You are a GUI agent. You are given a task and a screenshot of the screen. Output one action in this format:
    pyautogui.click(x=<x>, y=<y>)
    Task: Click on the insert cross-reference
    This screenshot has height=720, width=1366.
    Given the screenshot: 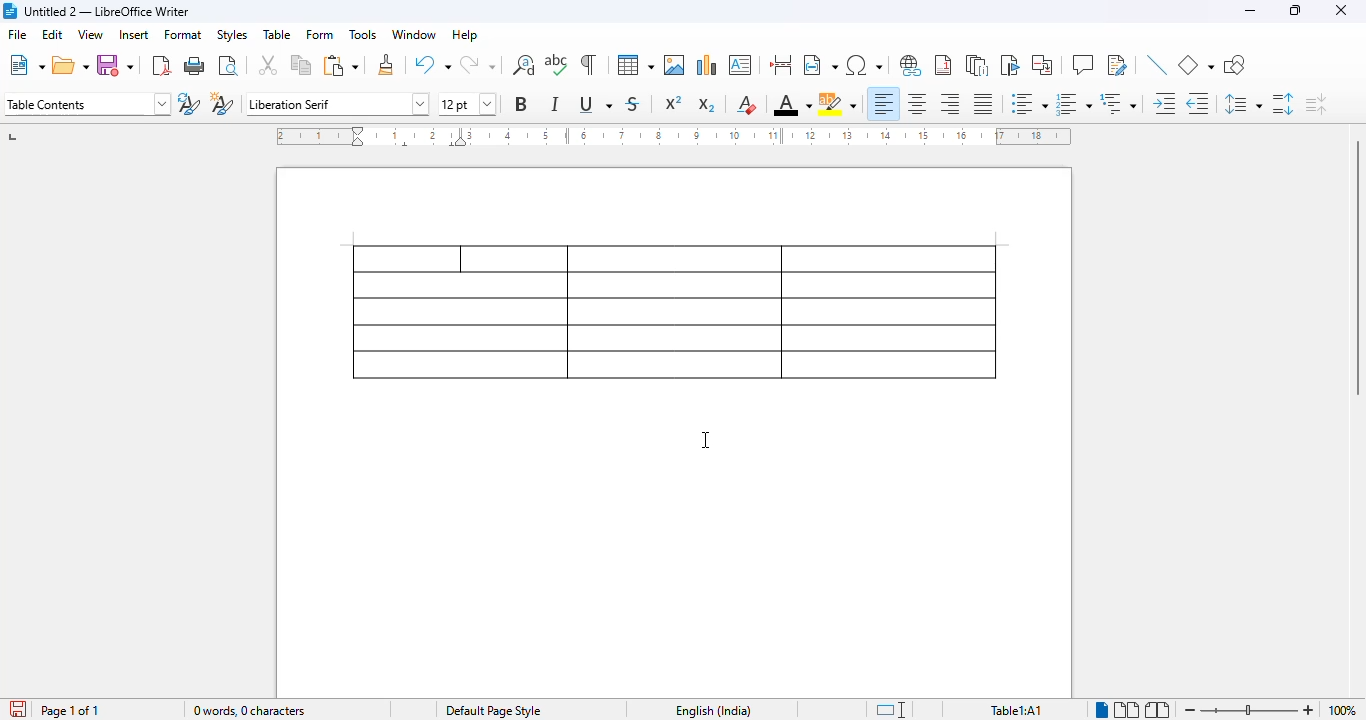 What is the action you would take?
    pyautogui.click(x=1041, y=64)
    